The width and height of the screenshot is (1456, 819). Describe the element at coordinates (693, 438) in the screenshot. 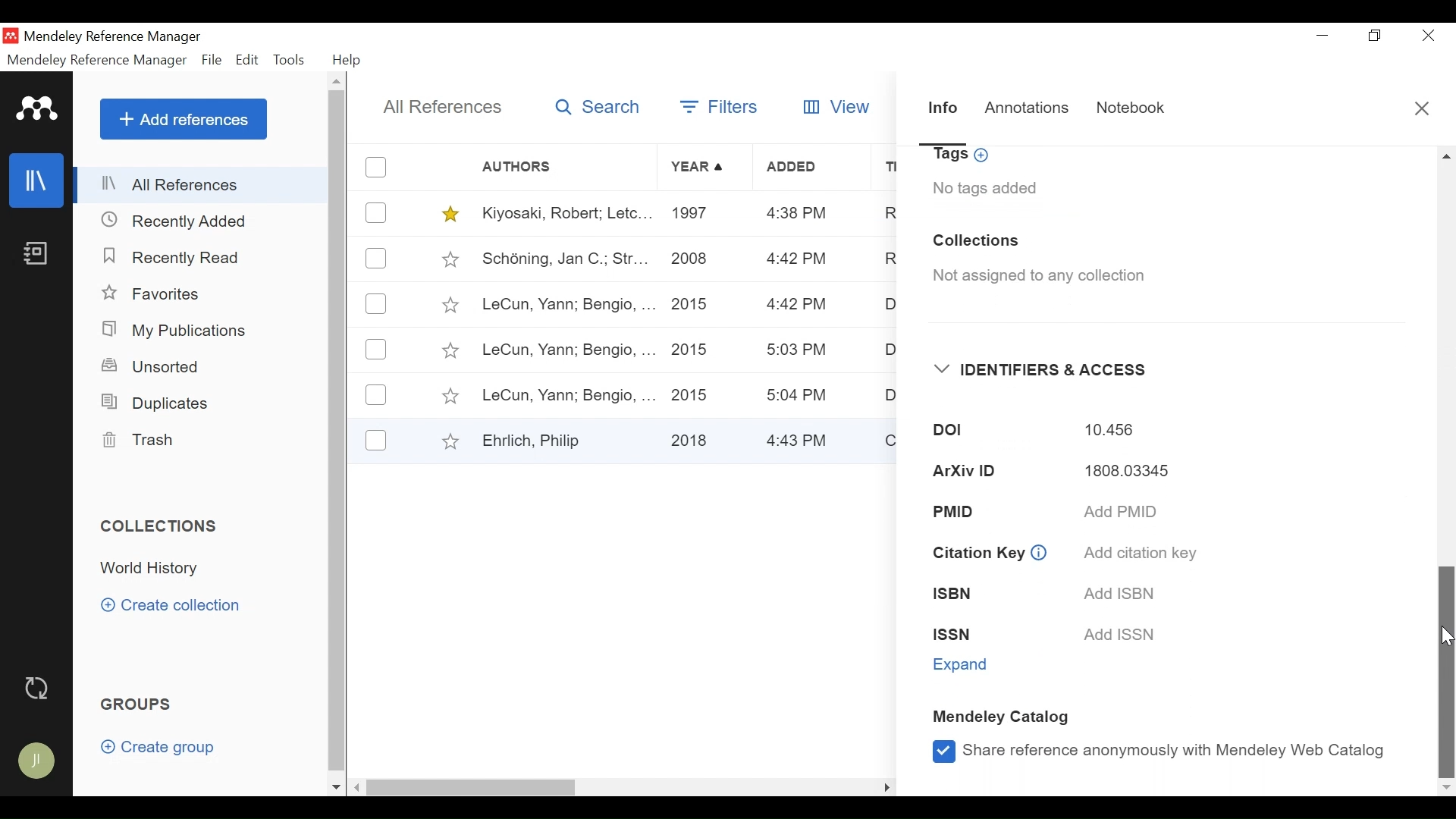

I see `2018` at that location.